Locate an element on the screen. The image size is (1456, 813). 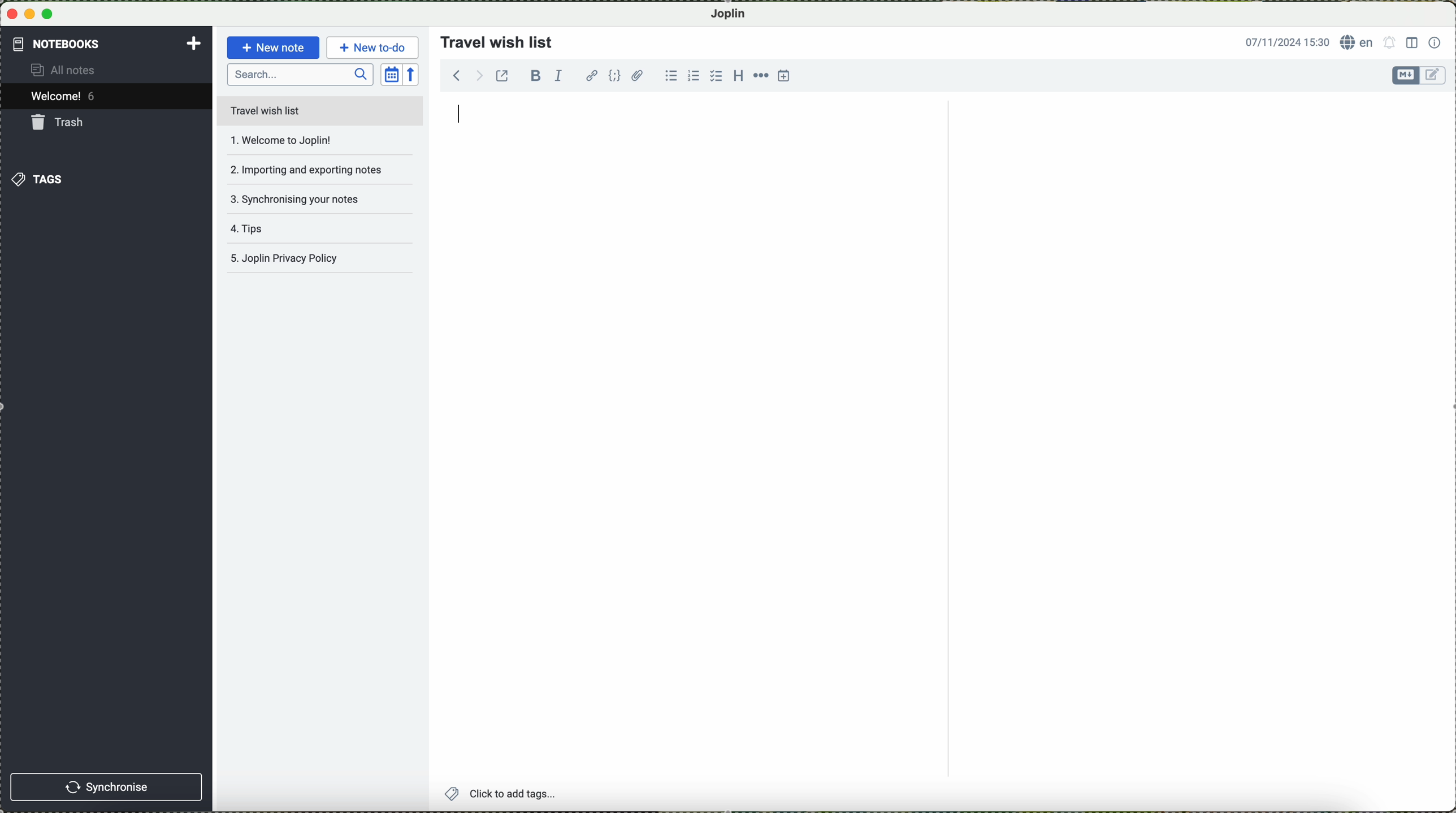
notebooks tab is located at coordinates (107, 44).